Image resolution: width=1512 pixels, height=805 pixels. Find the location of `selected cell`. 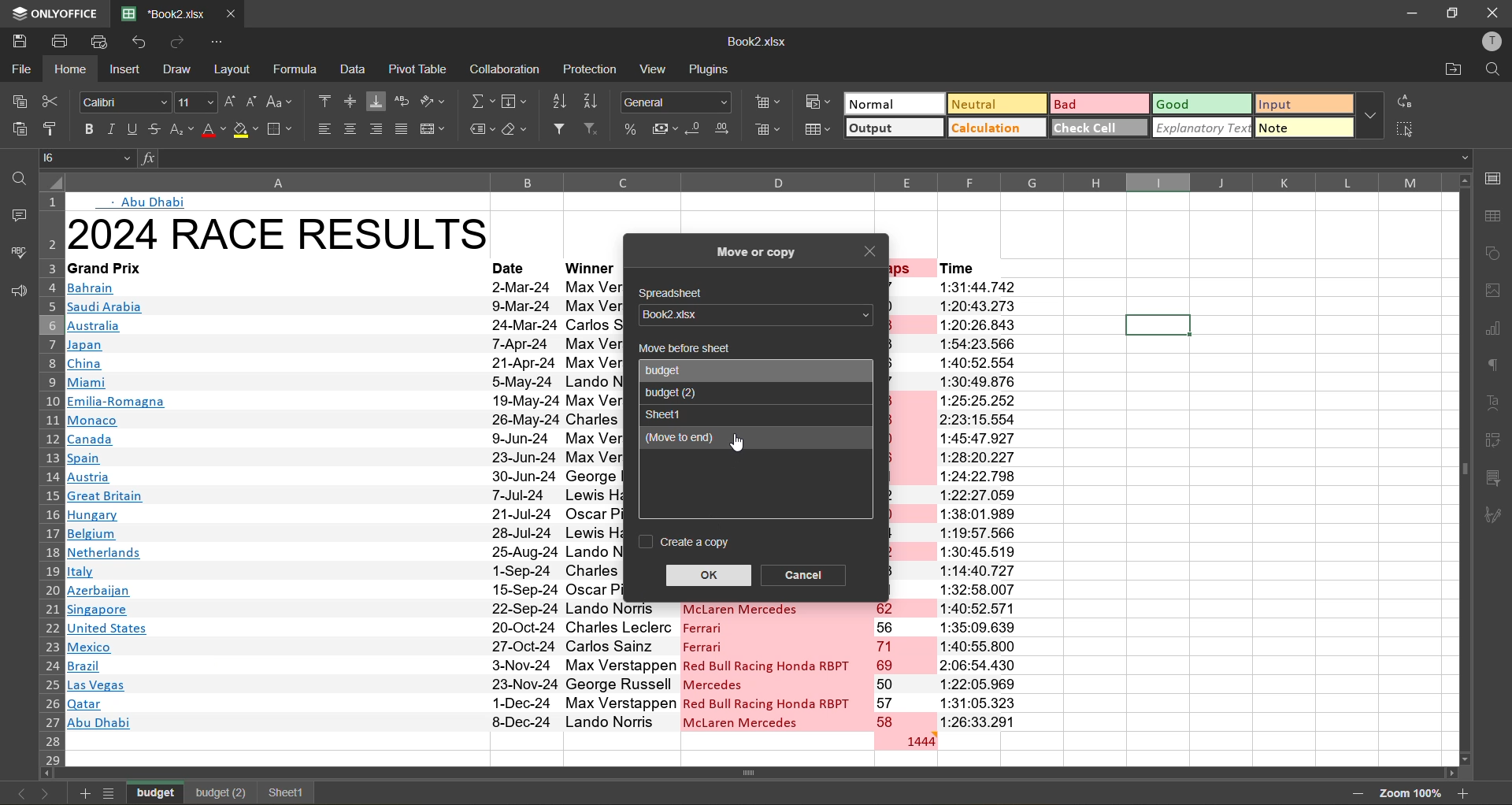

selected cell is located at coordinates (1157, 325).